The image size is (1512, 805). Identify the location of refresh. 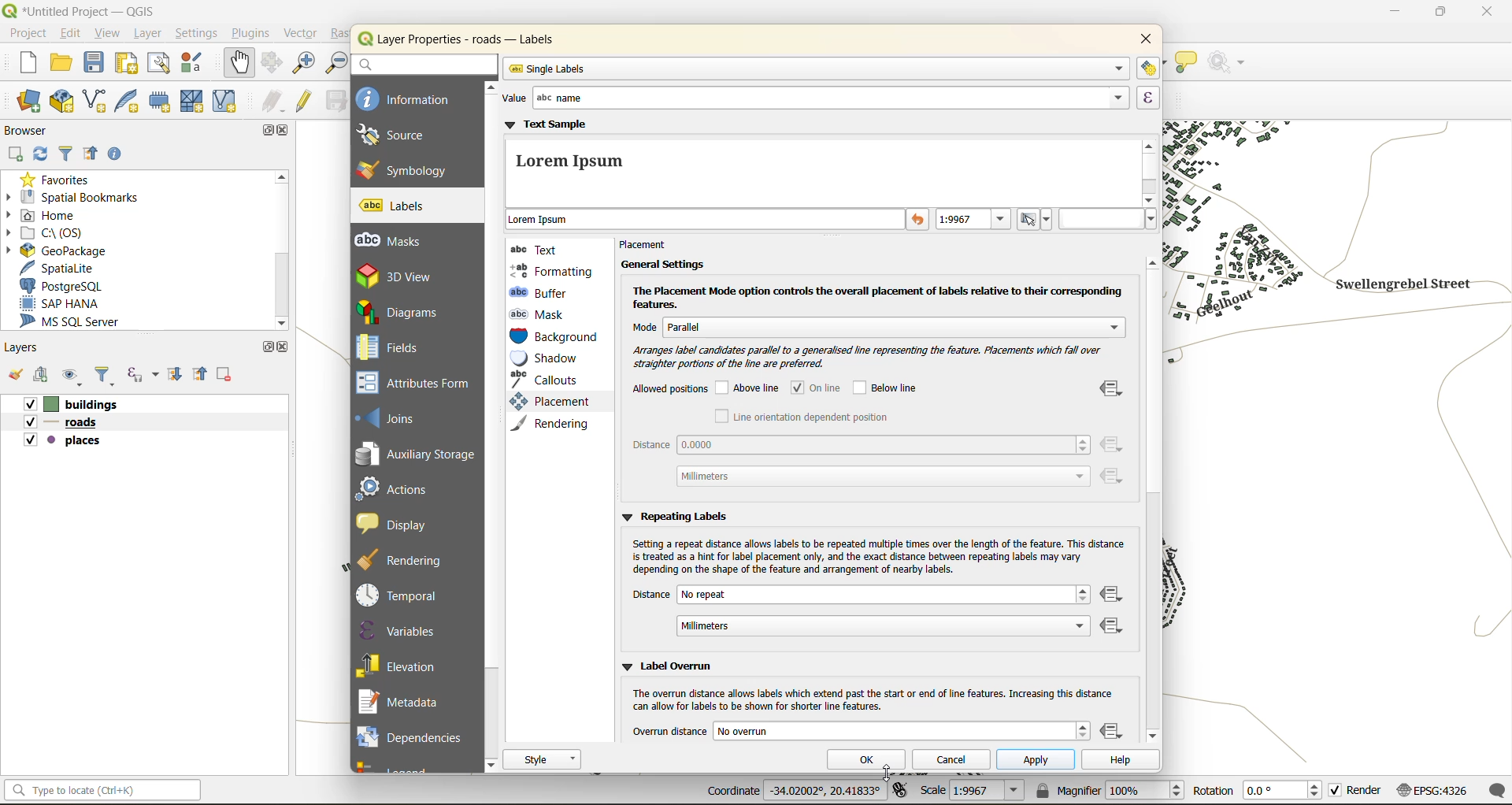
(39, 157).